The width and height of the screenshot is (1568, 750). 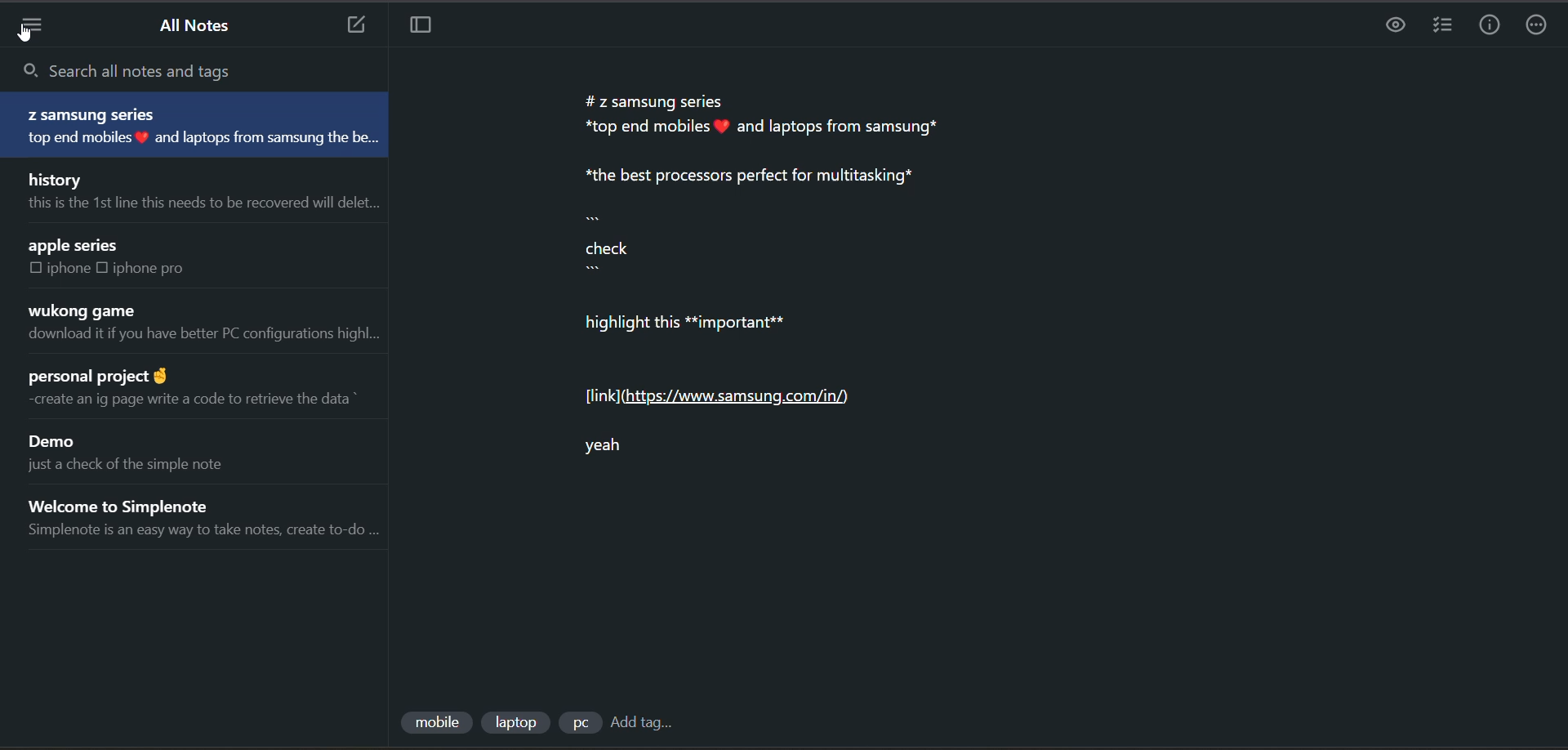 I want to click on cursor, so click(x=28, y=35).